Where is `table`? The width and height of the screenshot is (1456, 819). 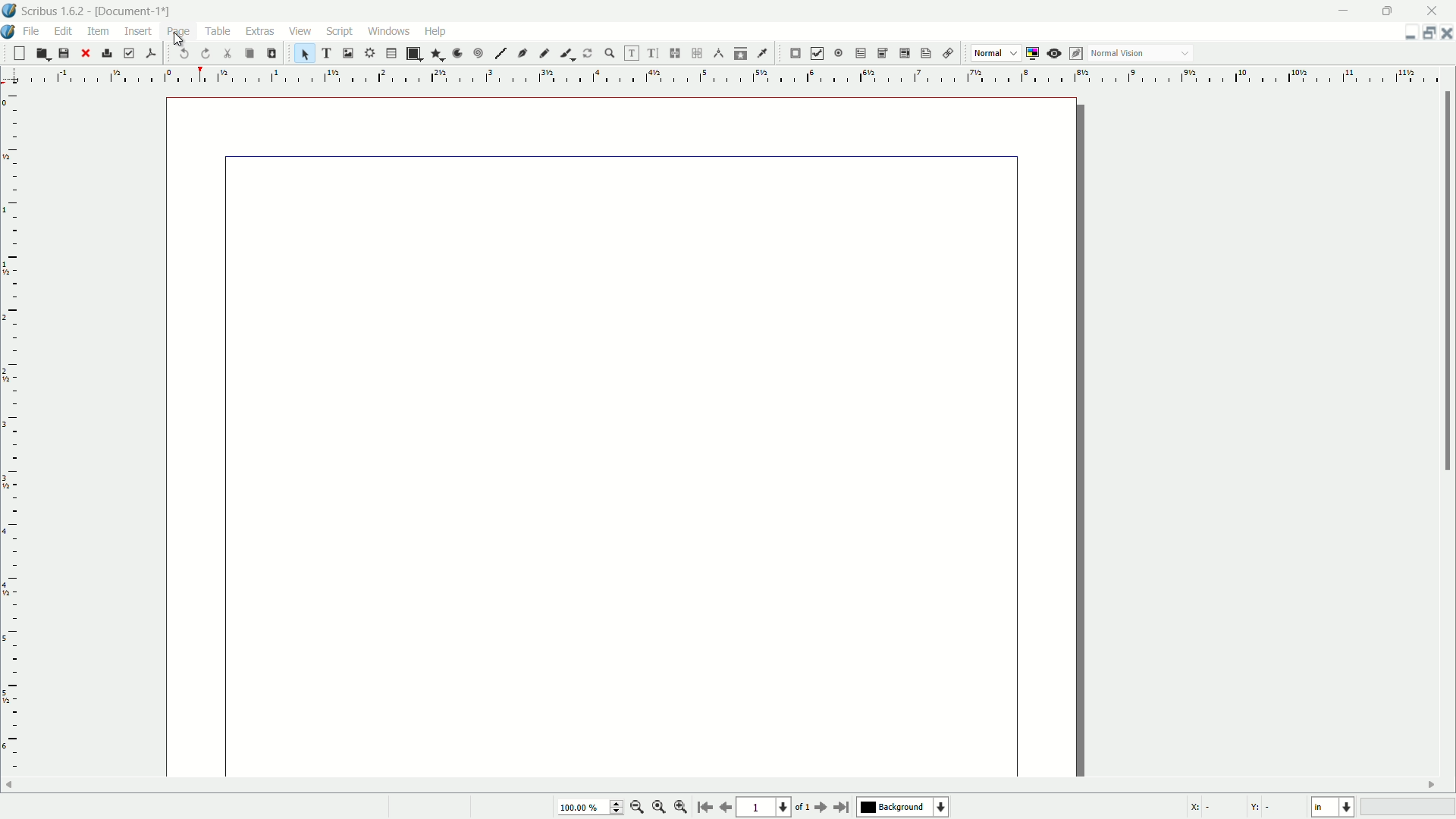
table is located at coordinates (391, 54).